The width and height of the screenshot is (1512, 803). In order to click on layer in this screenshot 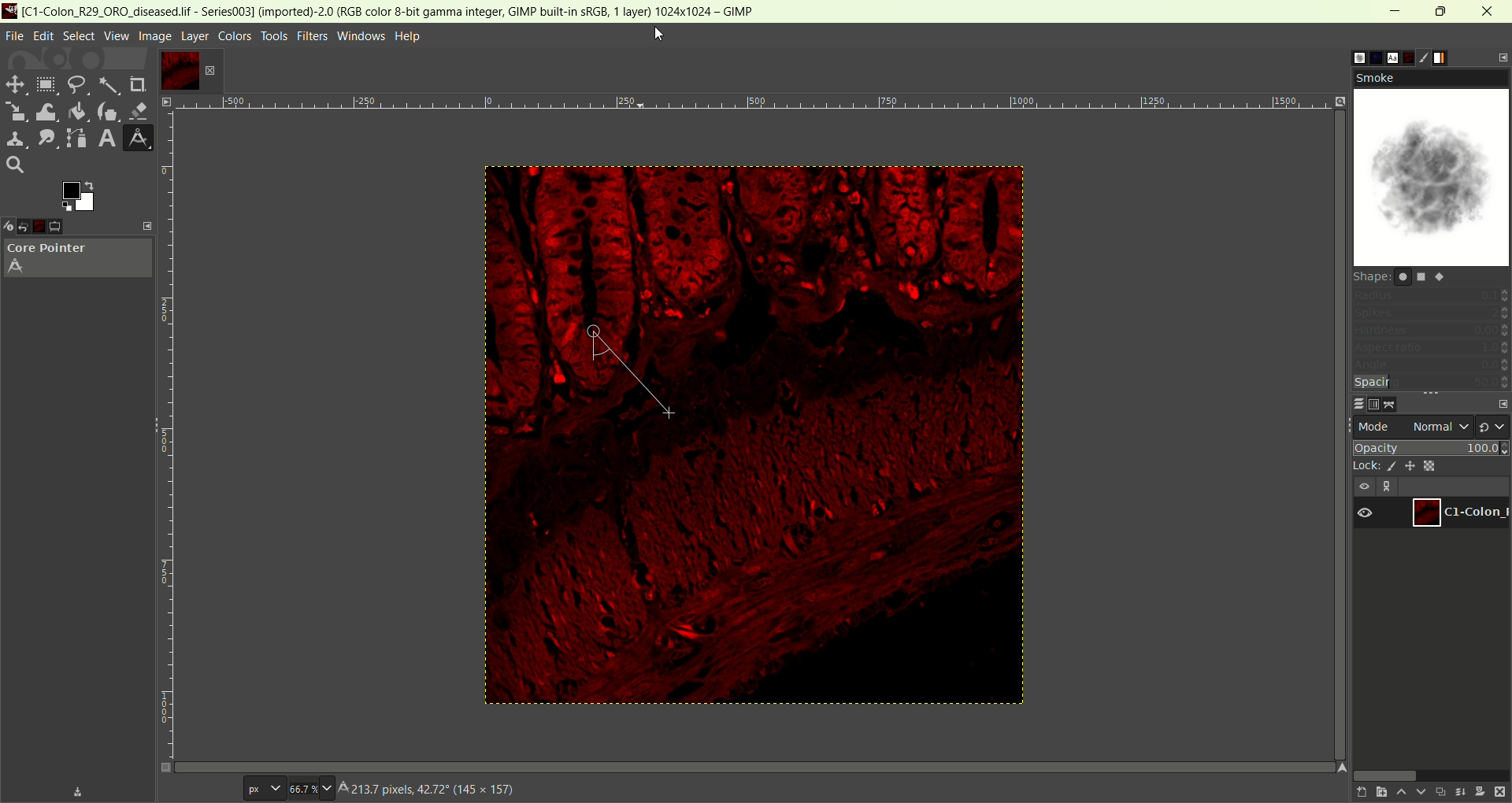, I will do `click(195, 37)`.